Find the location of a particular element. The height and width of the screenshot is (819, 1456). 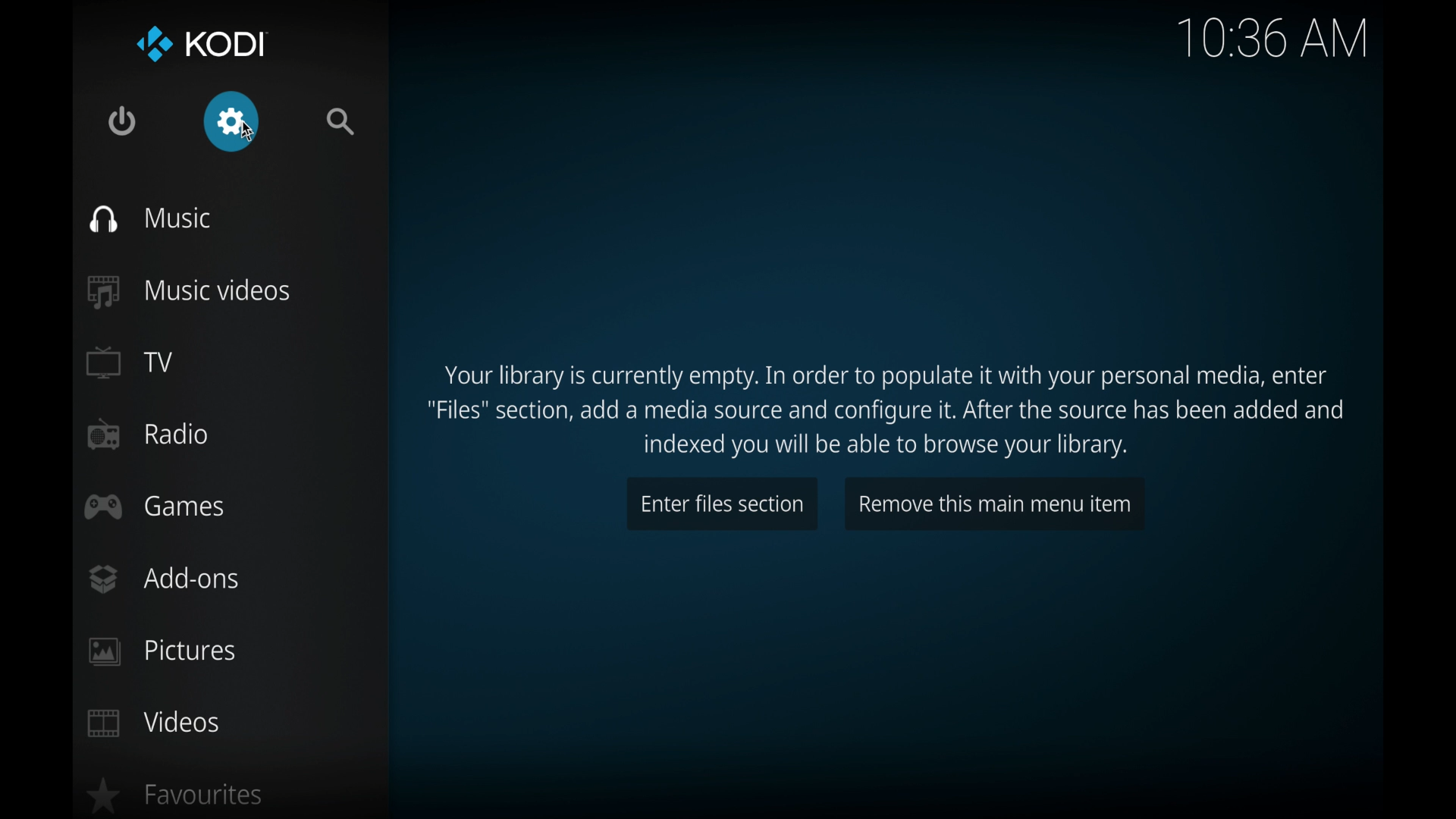

quit kodi is located at coordinates (122, 121).